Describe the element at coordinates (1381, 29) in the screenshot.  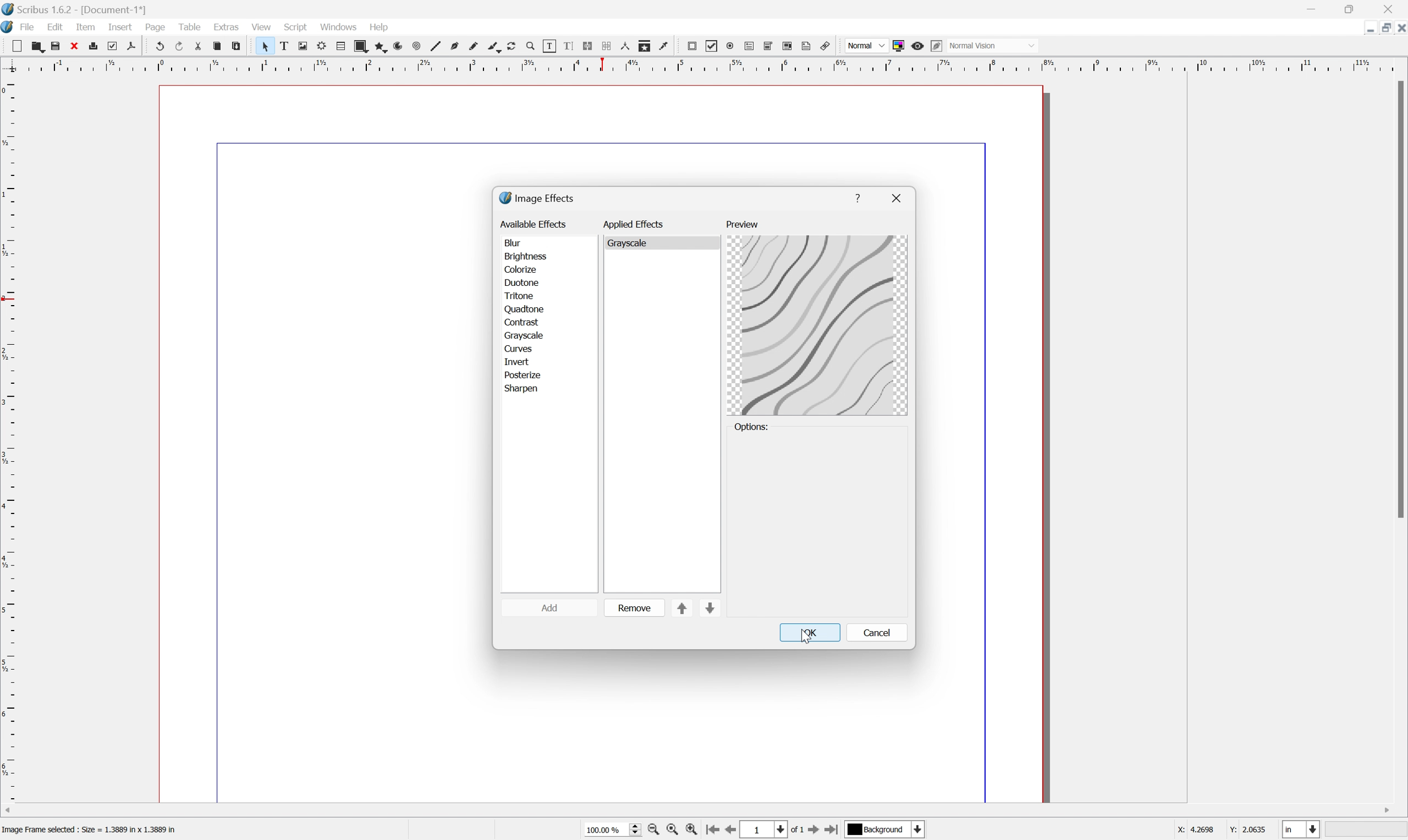
I see `Restore down` at that location.